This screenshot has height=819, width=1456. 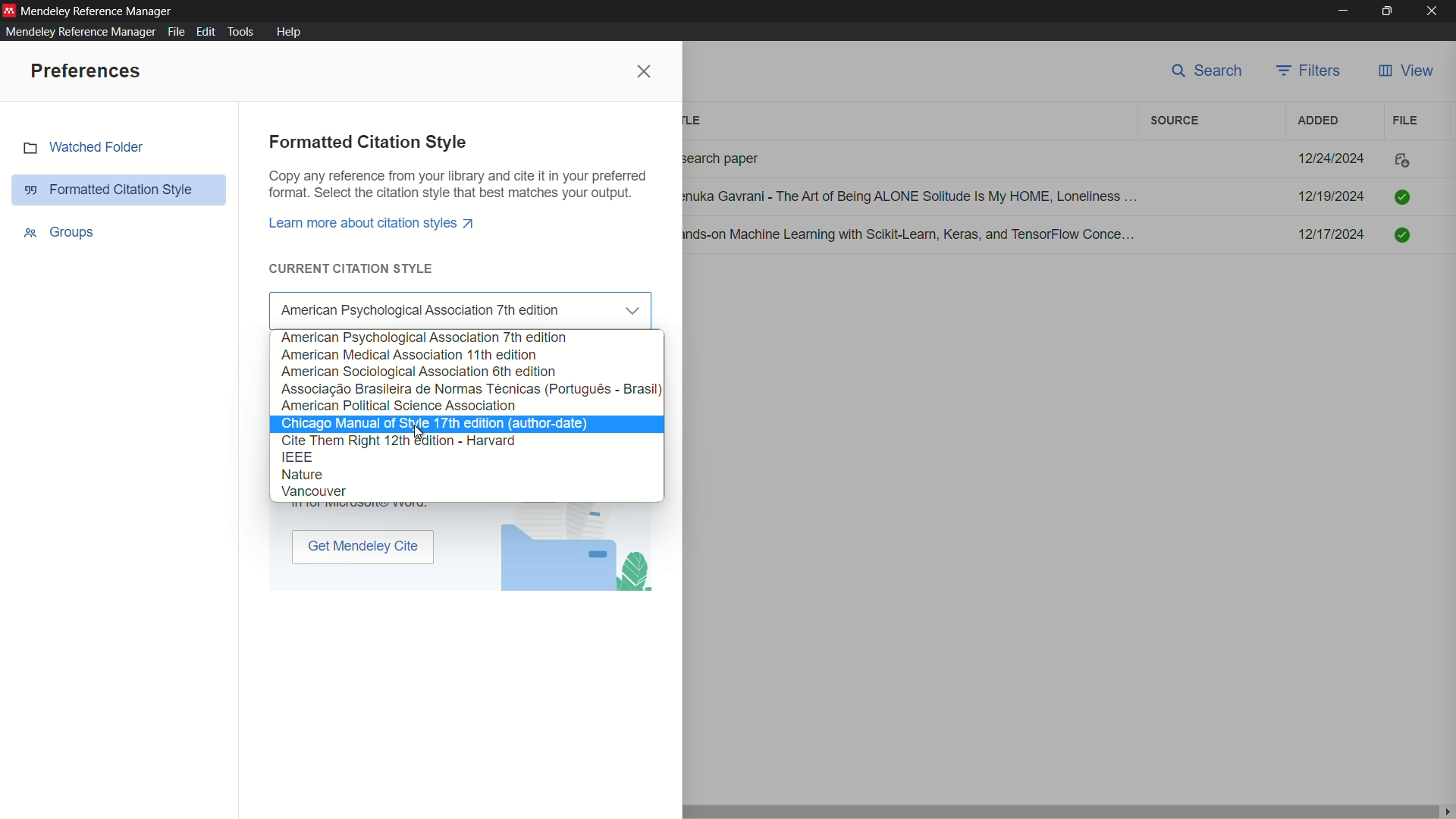 What do you see at coordinates (1316, 120) in the screenshot?
I see `added` at bounding box center [1316, 120].